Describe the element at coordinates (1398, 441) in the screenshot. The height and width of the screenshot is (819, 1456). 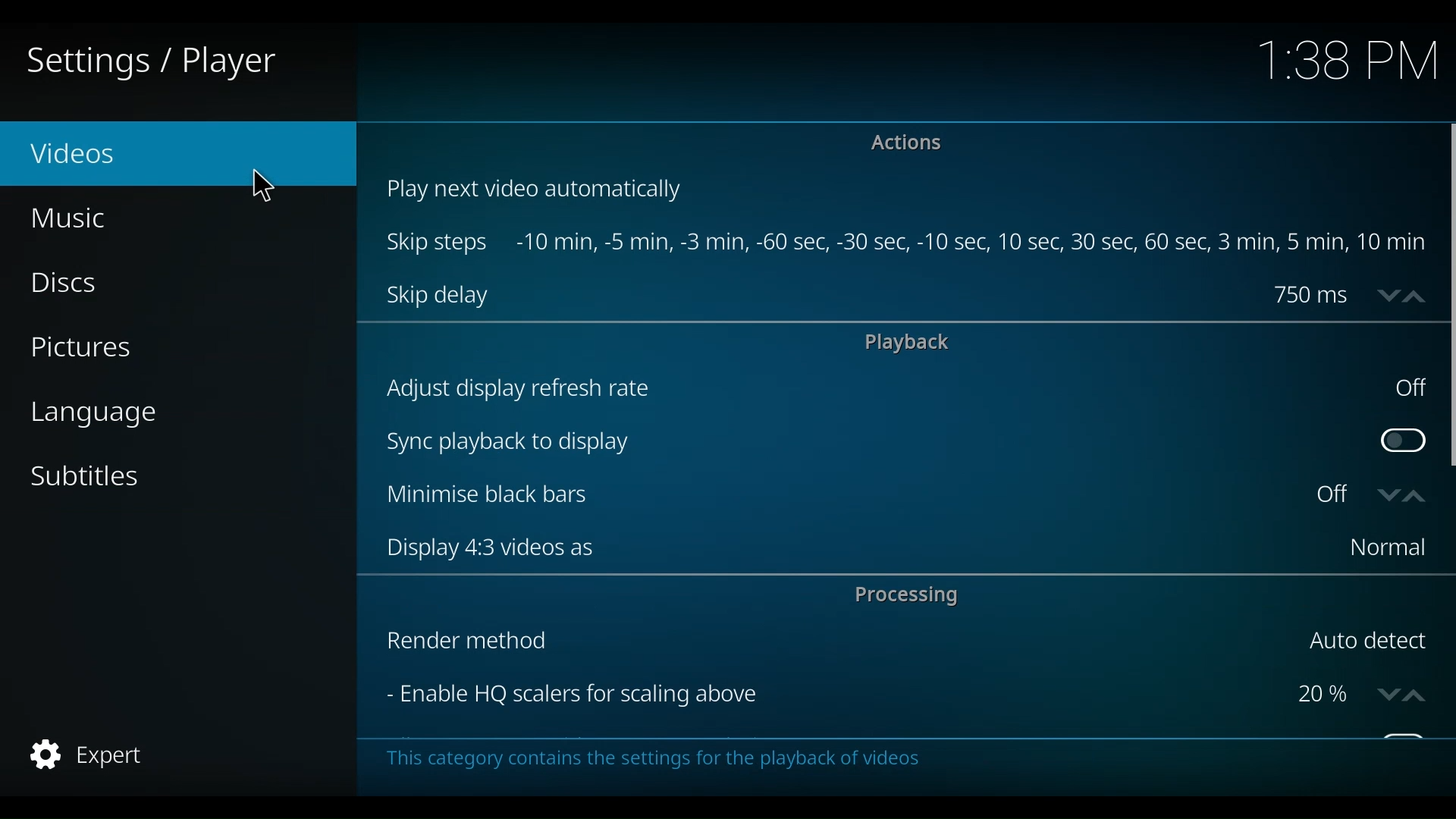
I see `Toggle Sync playback to display` at that location.